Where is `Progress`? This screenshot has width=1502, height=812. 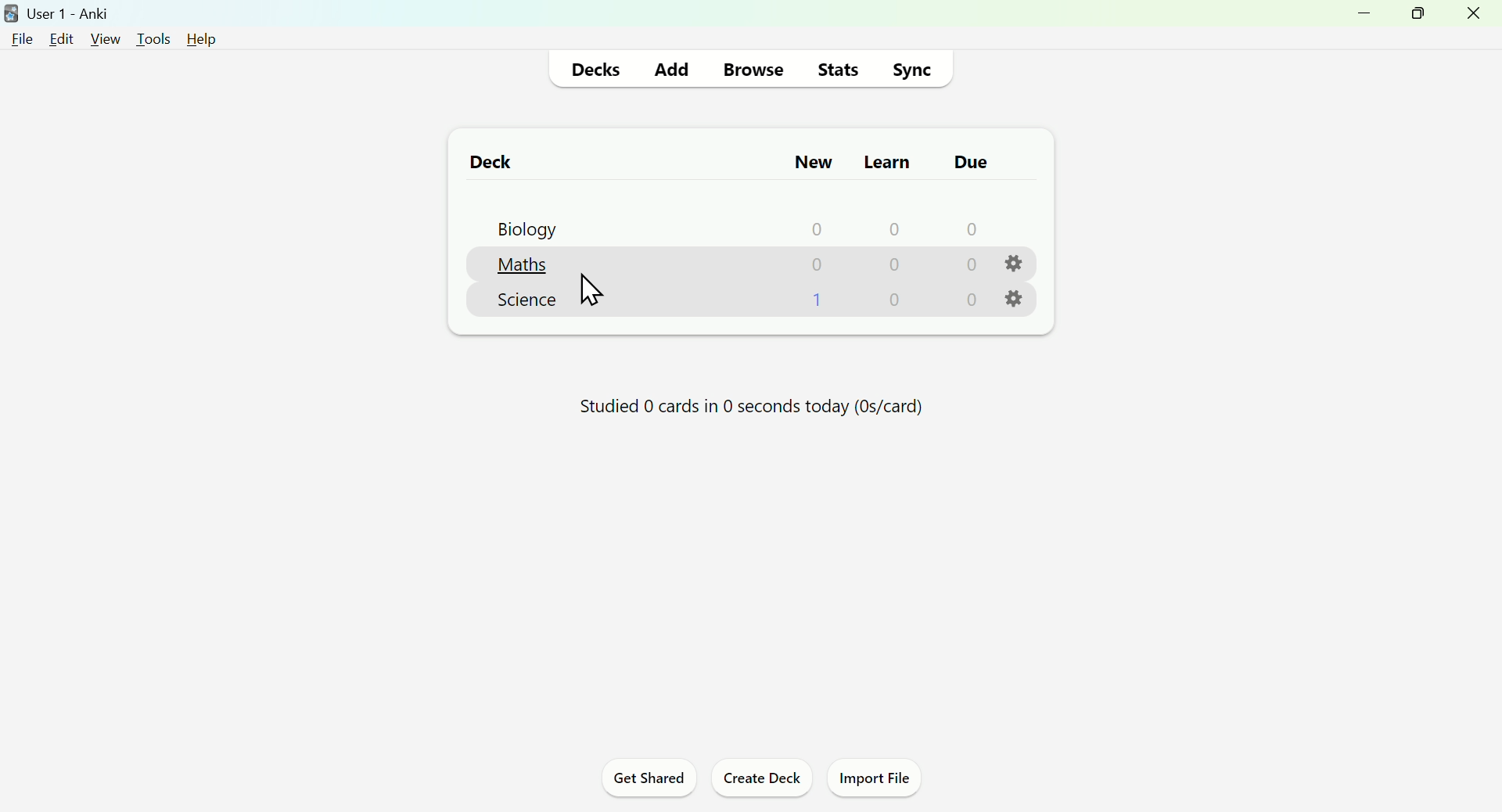
Progress is located at coordinates (742, 411).